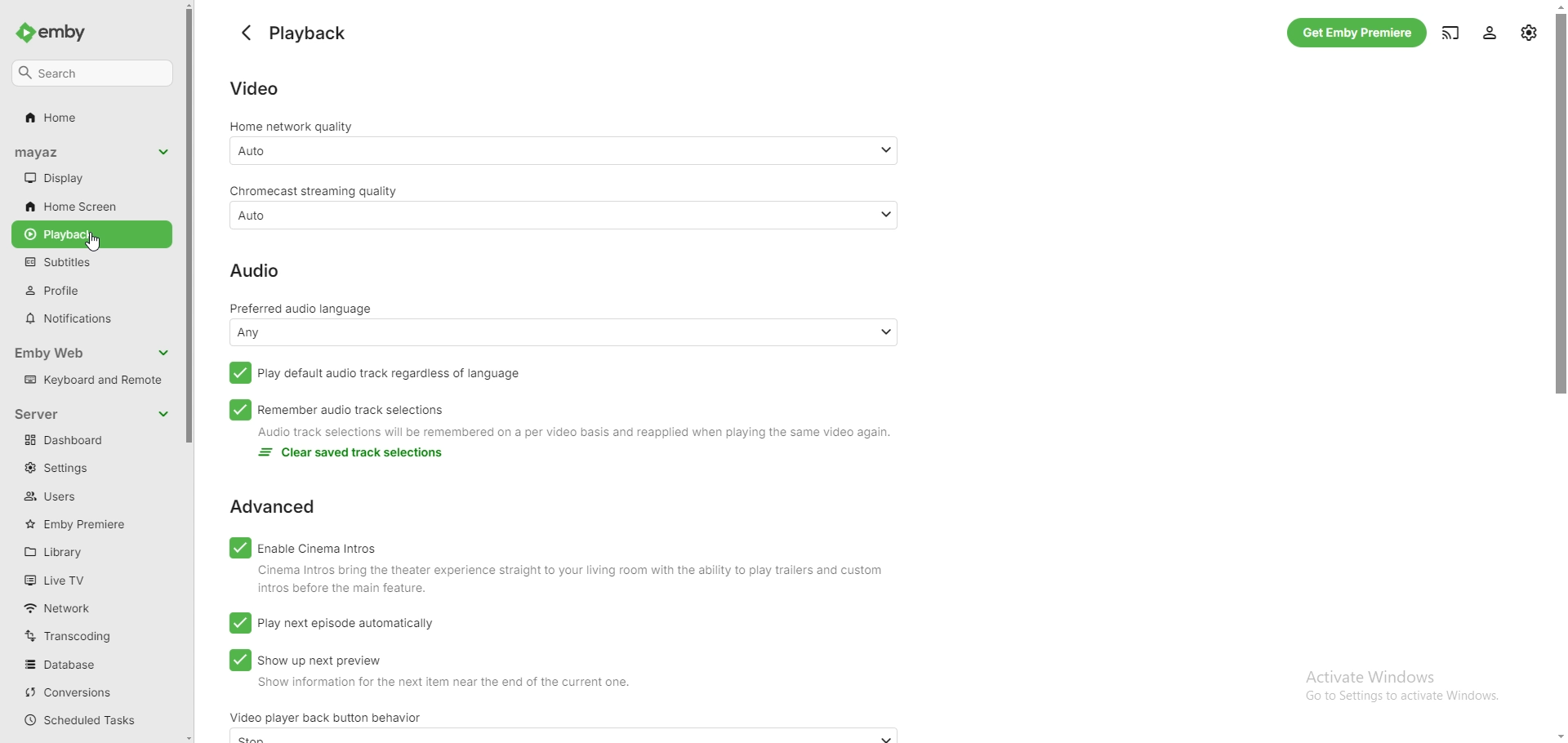  What do you see at coordinates (589, 434) in the screenshot?
I see `‘Audio track selections will be remembered on a per video basis and reapplied when playing the same video again.` at bounding box center [589, 434].